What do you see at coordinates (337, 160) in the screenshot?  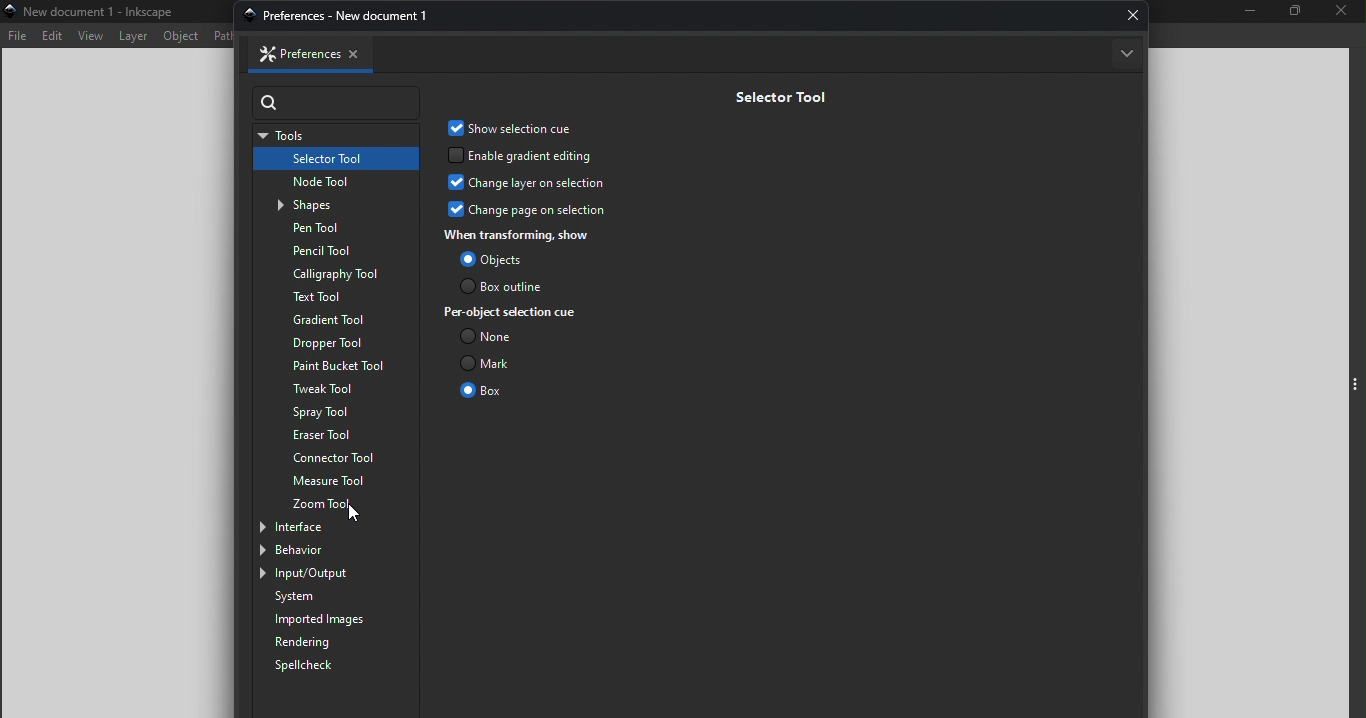 I see `Selector tool` at bounding box center [337, 160].